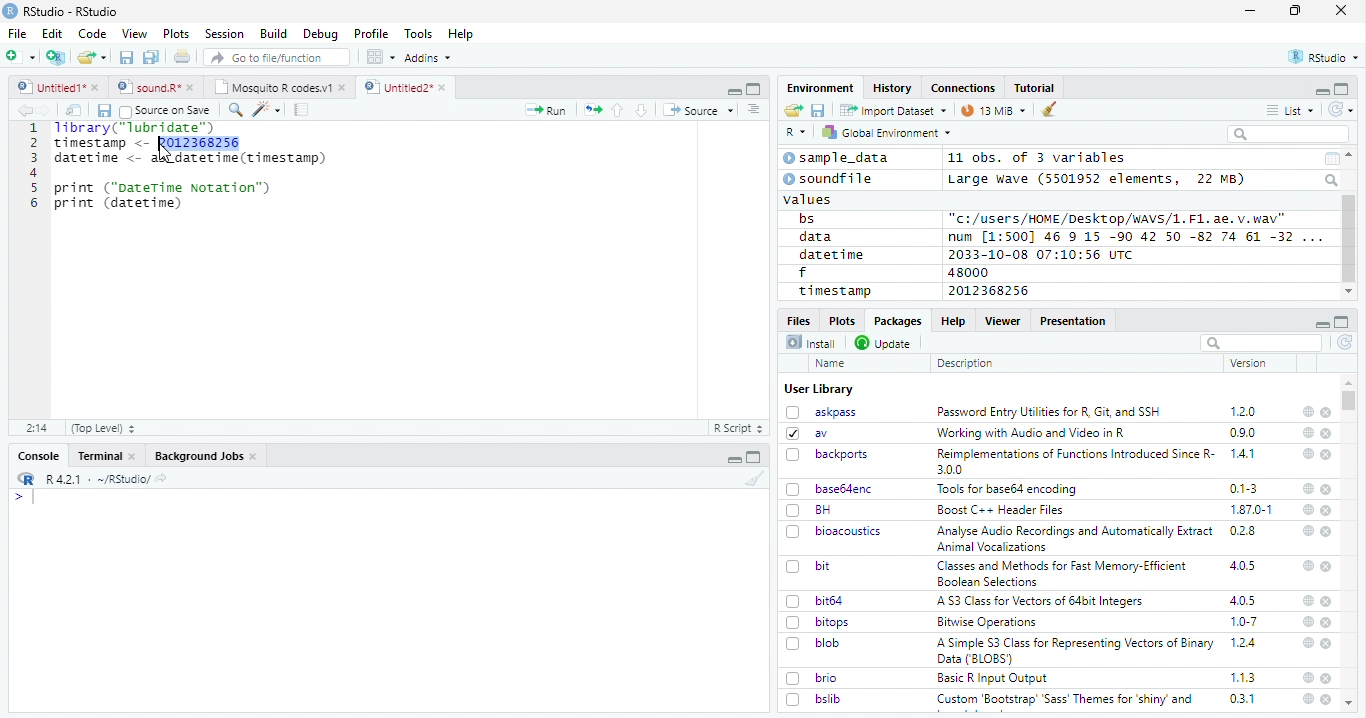  I want to click on close, so click(1326, 489).